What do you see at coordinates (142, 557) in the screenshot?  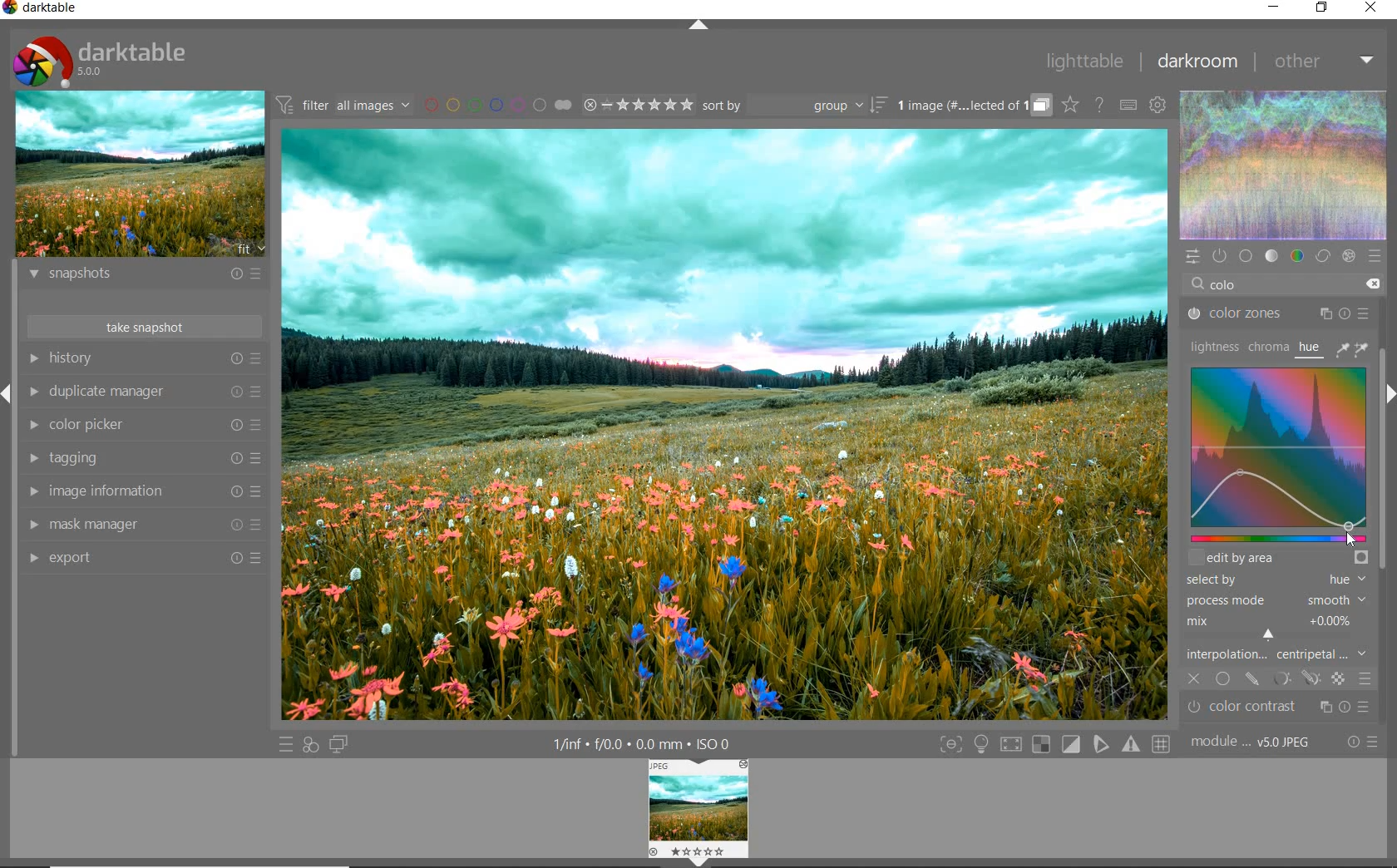 I see `export` at bounding box center [142, 557].